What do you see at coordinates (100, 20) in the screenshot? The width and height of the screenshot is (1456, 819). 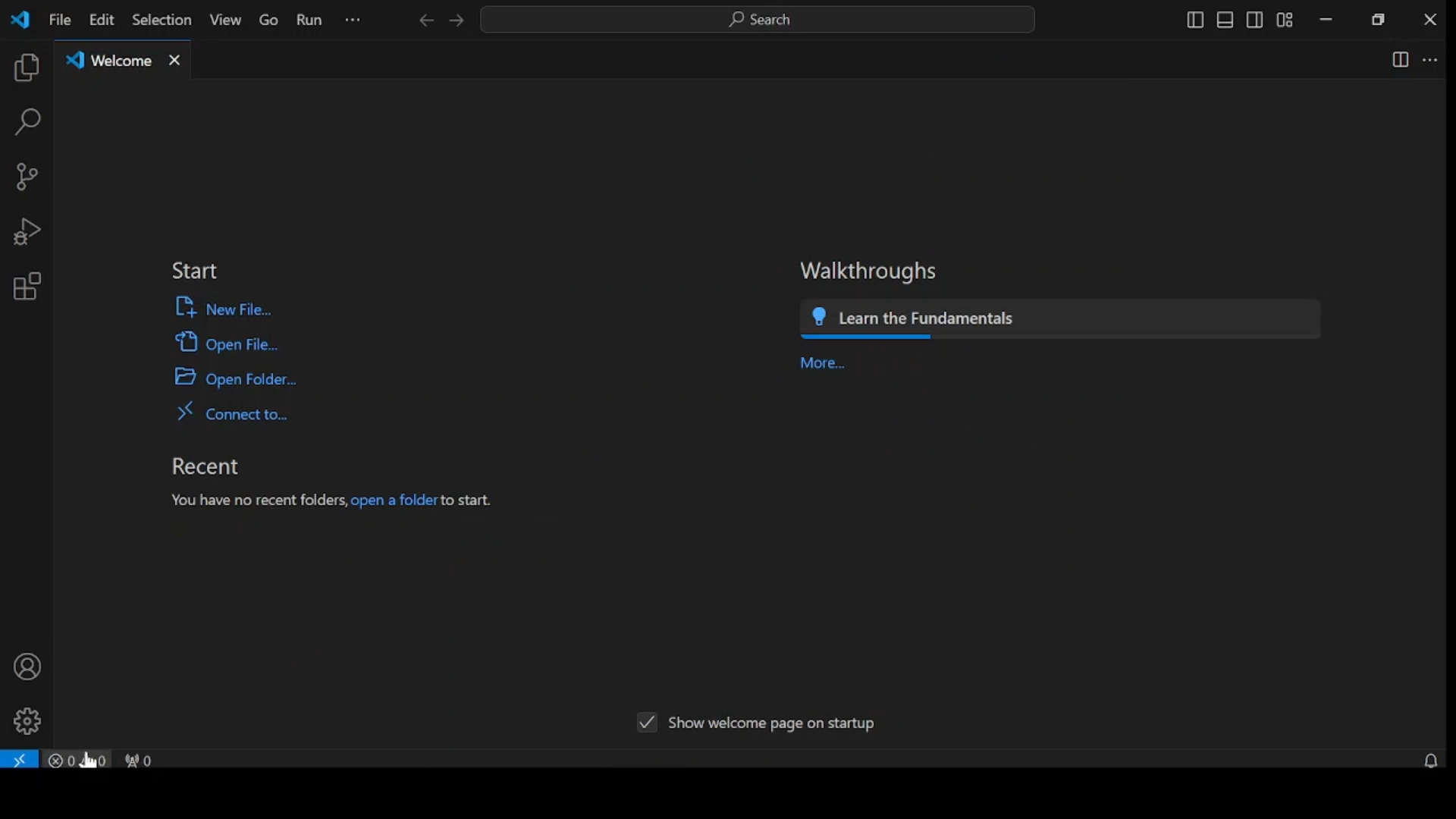 I see `edit` at bounding box center [100, 20].